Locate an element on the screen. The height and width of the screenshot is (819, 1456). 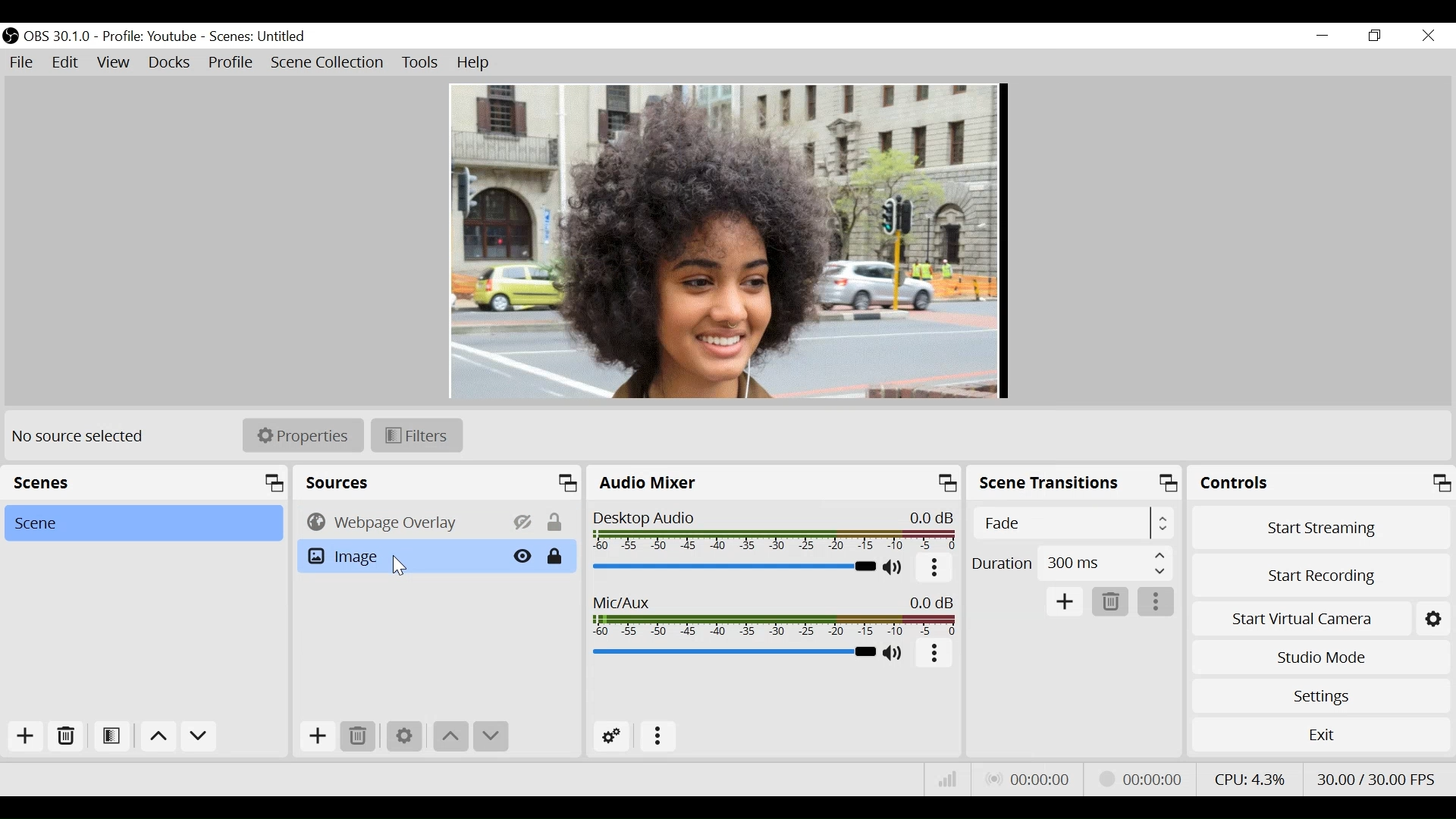
Desktop Audio is located at coordinates (772, 531).